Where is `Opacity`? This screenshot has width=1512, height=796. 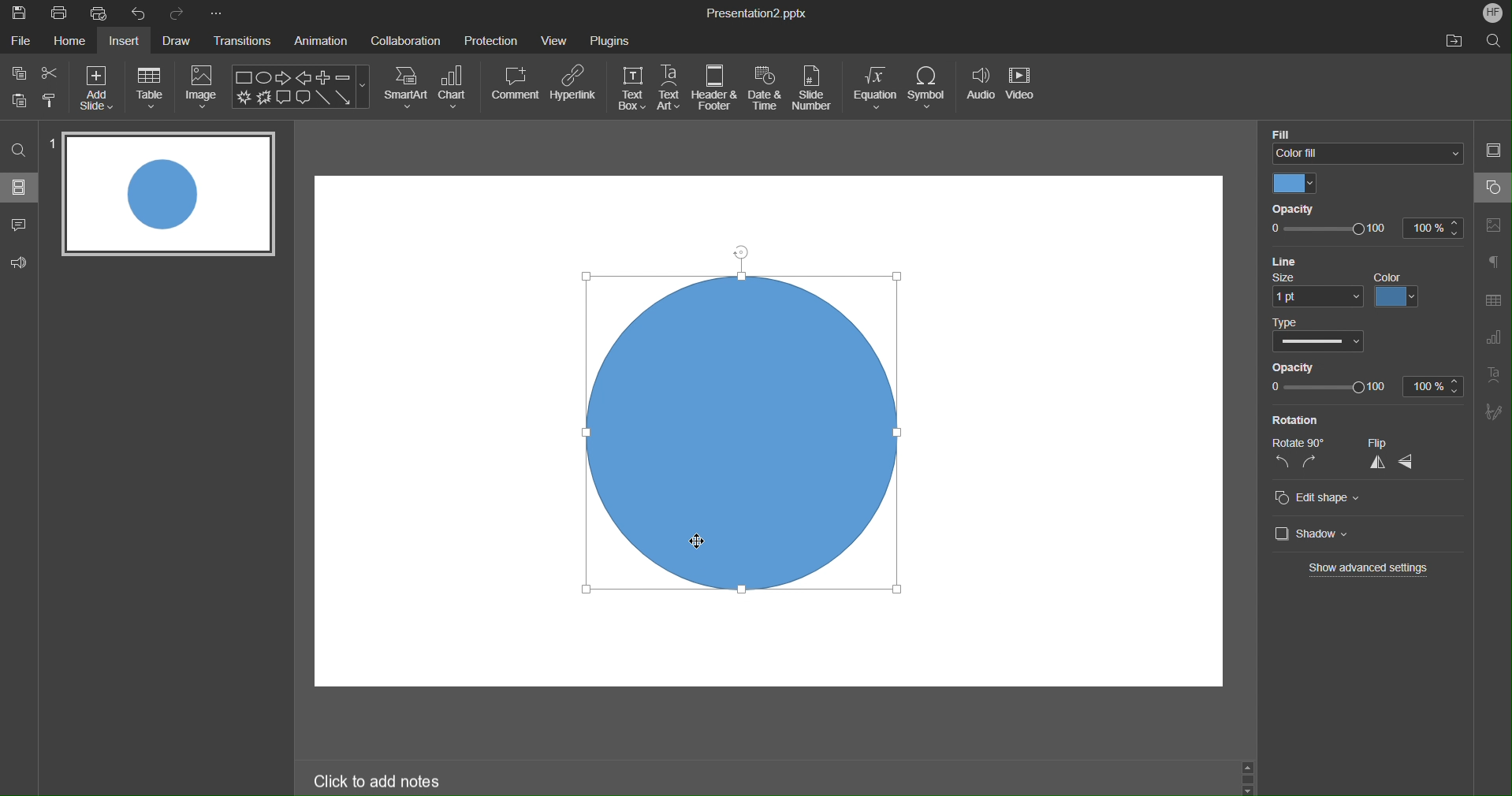
Opacity is located at coordinates (1304, 209).